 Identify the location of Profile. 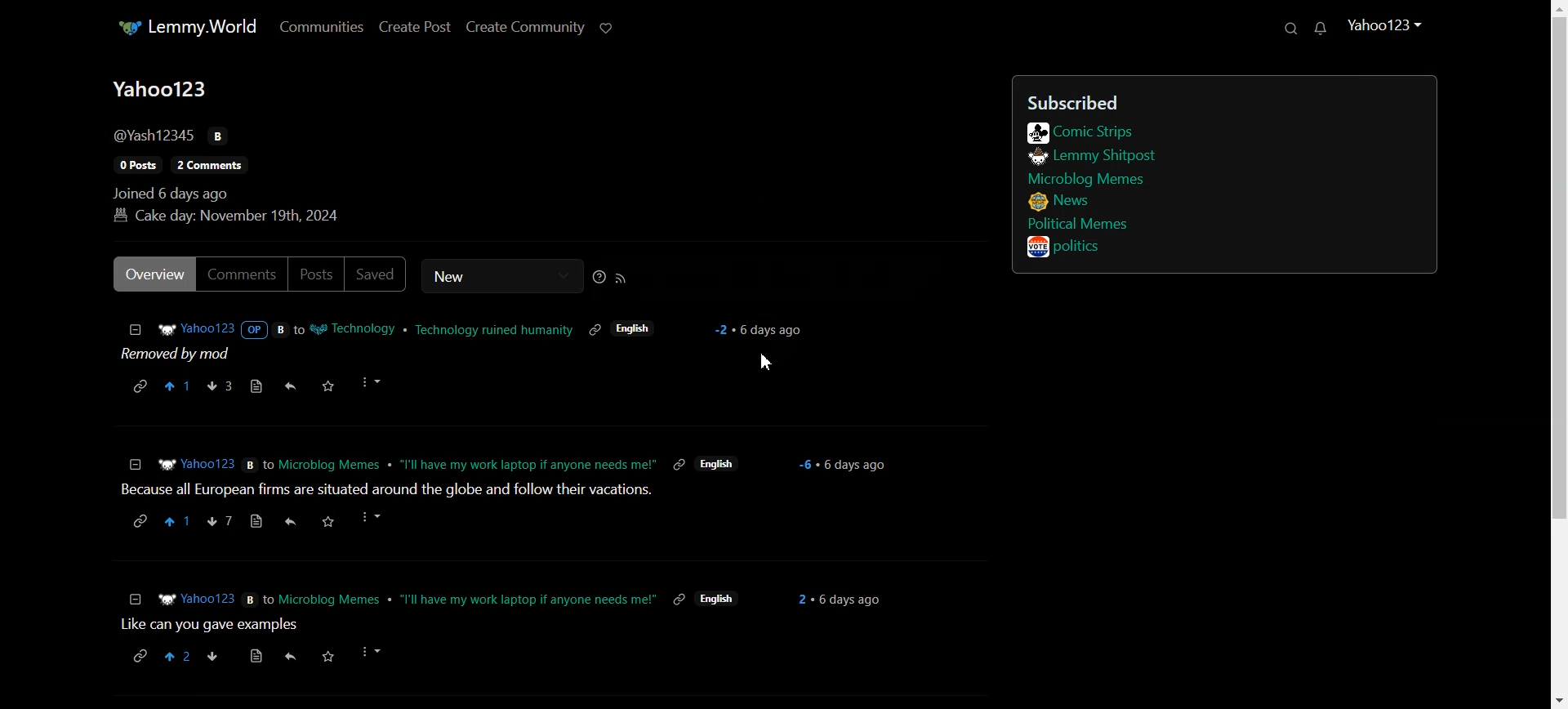
(1384, 32).